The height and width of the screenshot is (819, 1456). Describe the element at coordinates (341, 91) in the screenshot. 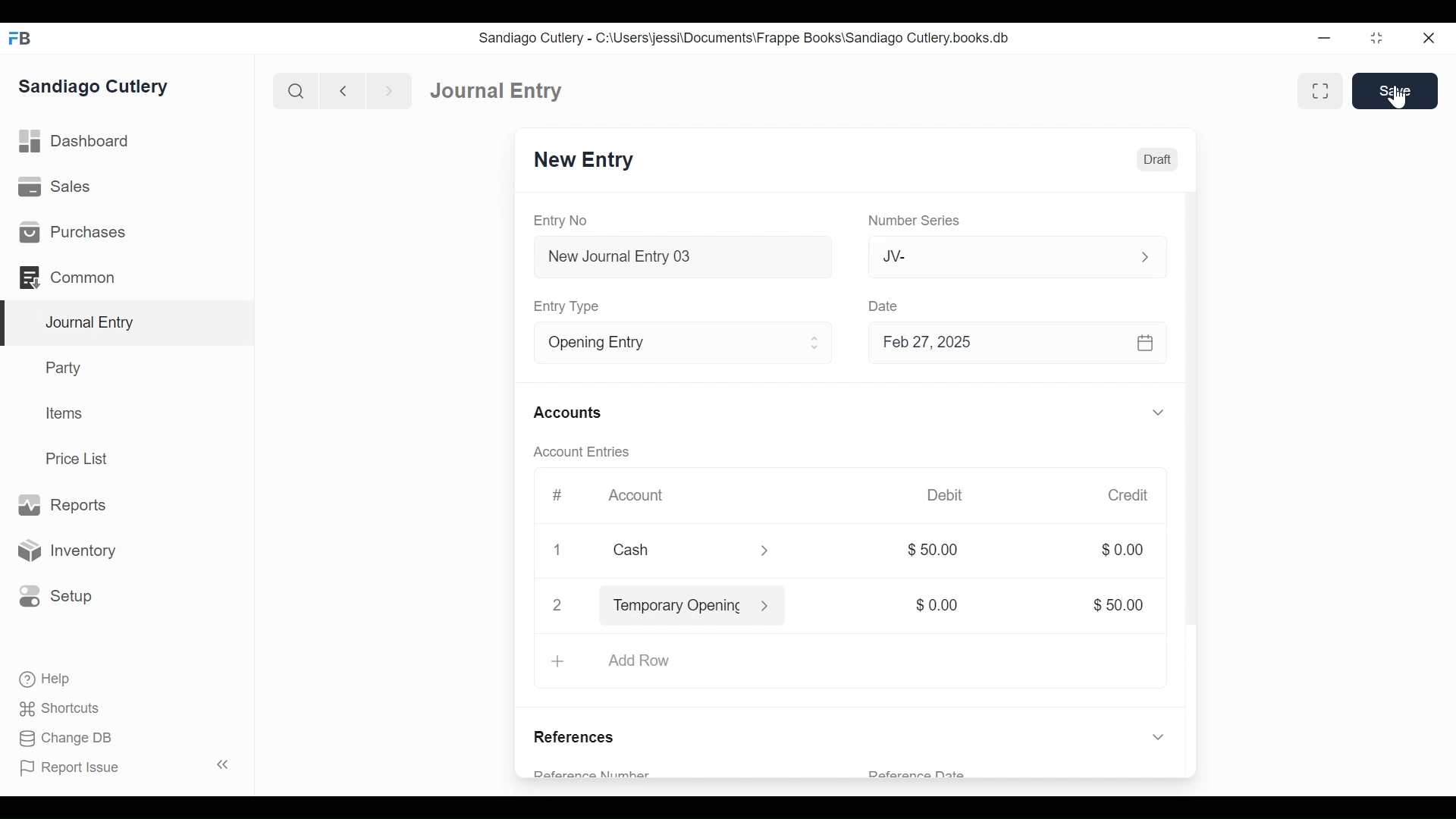

I see `Navigate back` at that location.